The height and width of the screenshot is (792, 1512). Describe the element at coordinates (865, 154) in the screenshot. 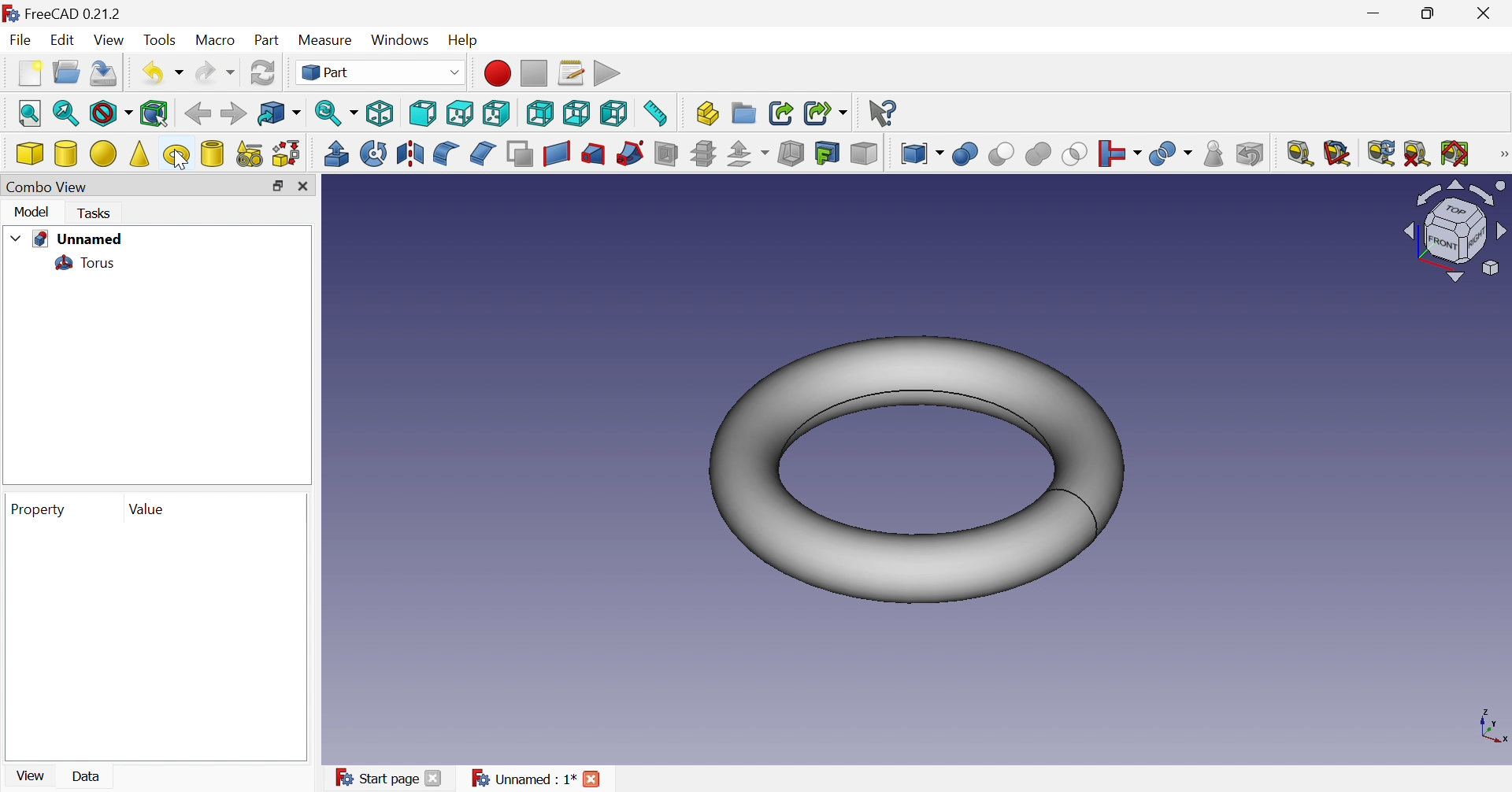

I see `Color per face` at that location.